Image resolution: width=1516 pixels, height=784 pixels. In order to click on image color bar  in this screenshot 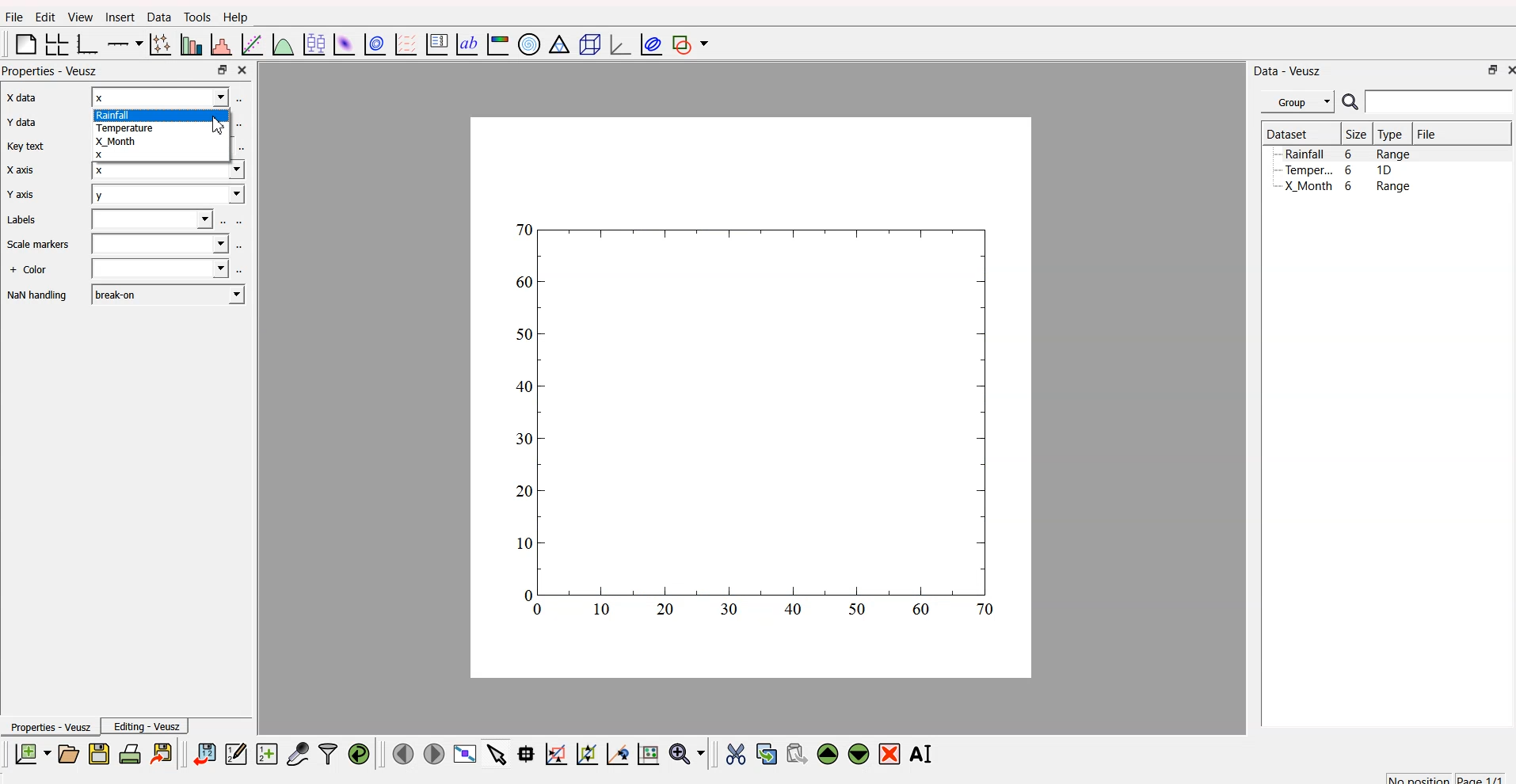, I will do `click(497, 44)`.